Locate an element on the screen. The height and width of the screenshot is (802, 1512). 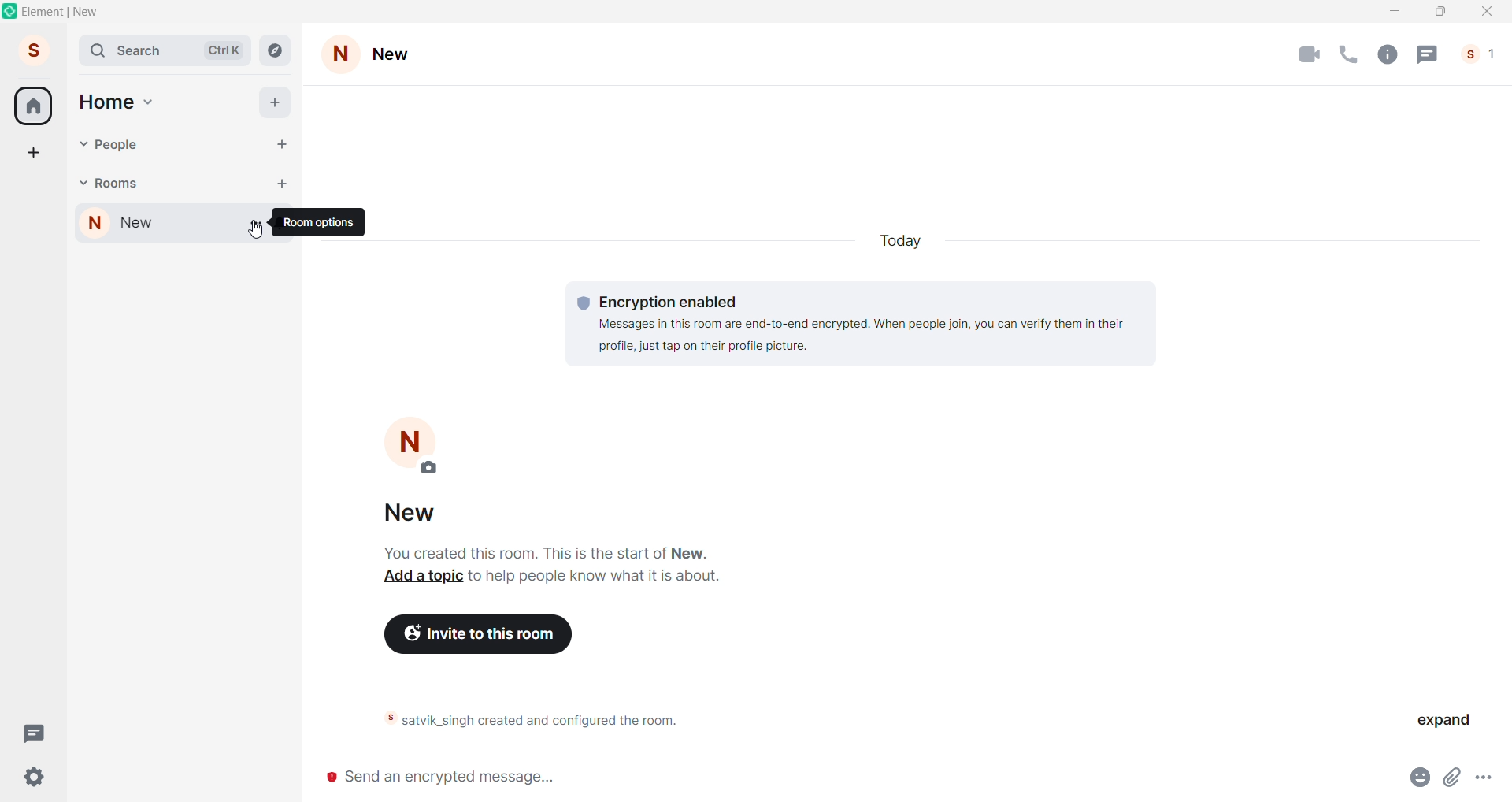
Threads is located at coordinates (1429, 53).